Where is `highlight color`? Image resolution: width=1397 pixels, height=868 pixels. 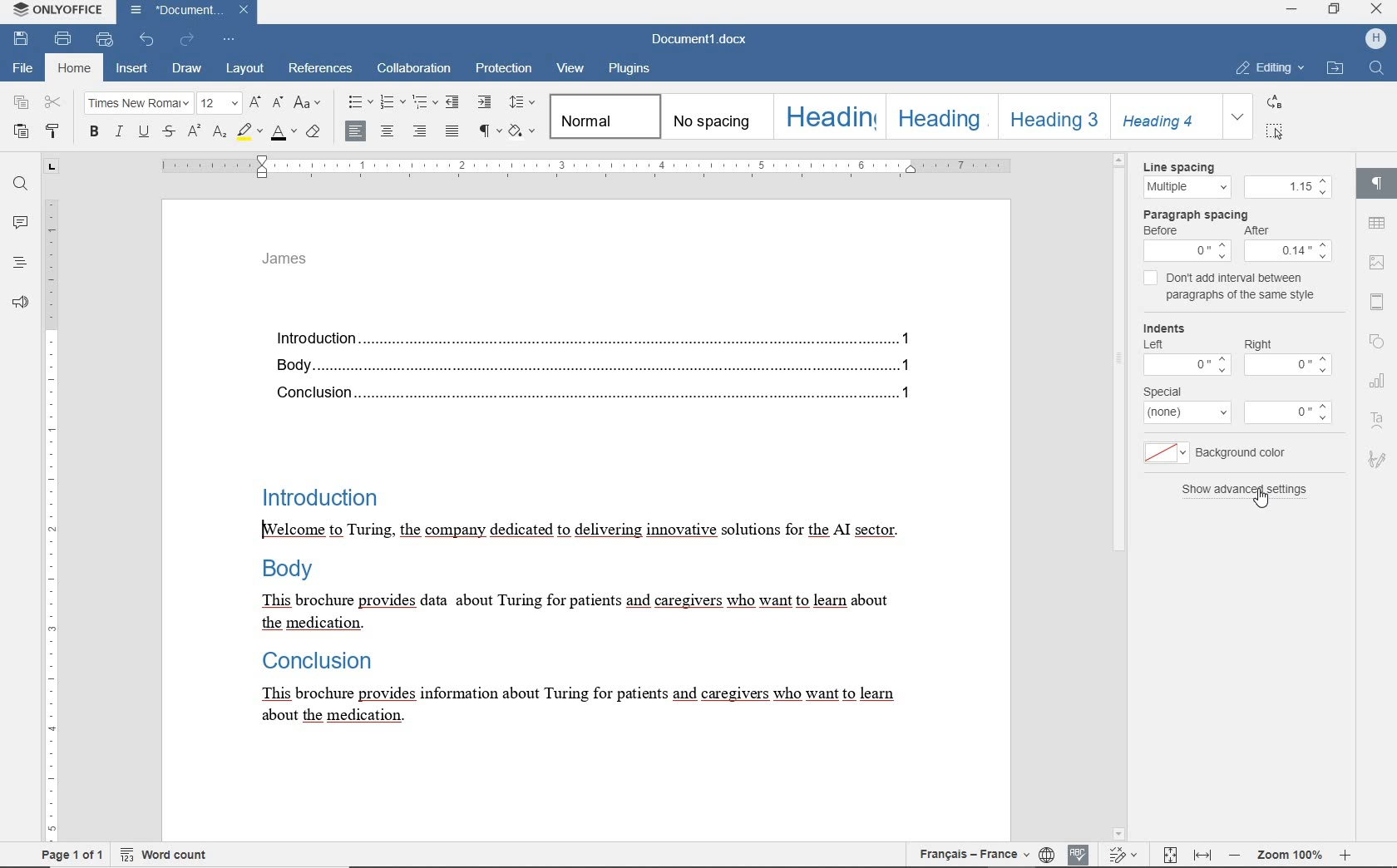
highlight color is located at coordinates (250, 133).